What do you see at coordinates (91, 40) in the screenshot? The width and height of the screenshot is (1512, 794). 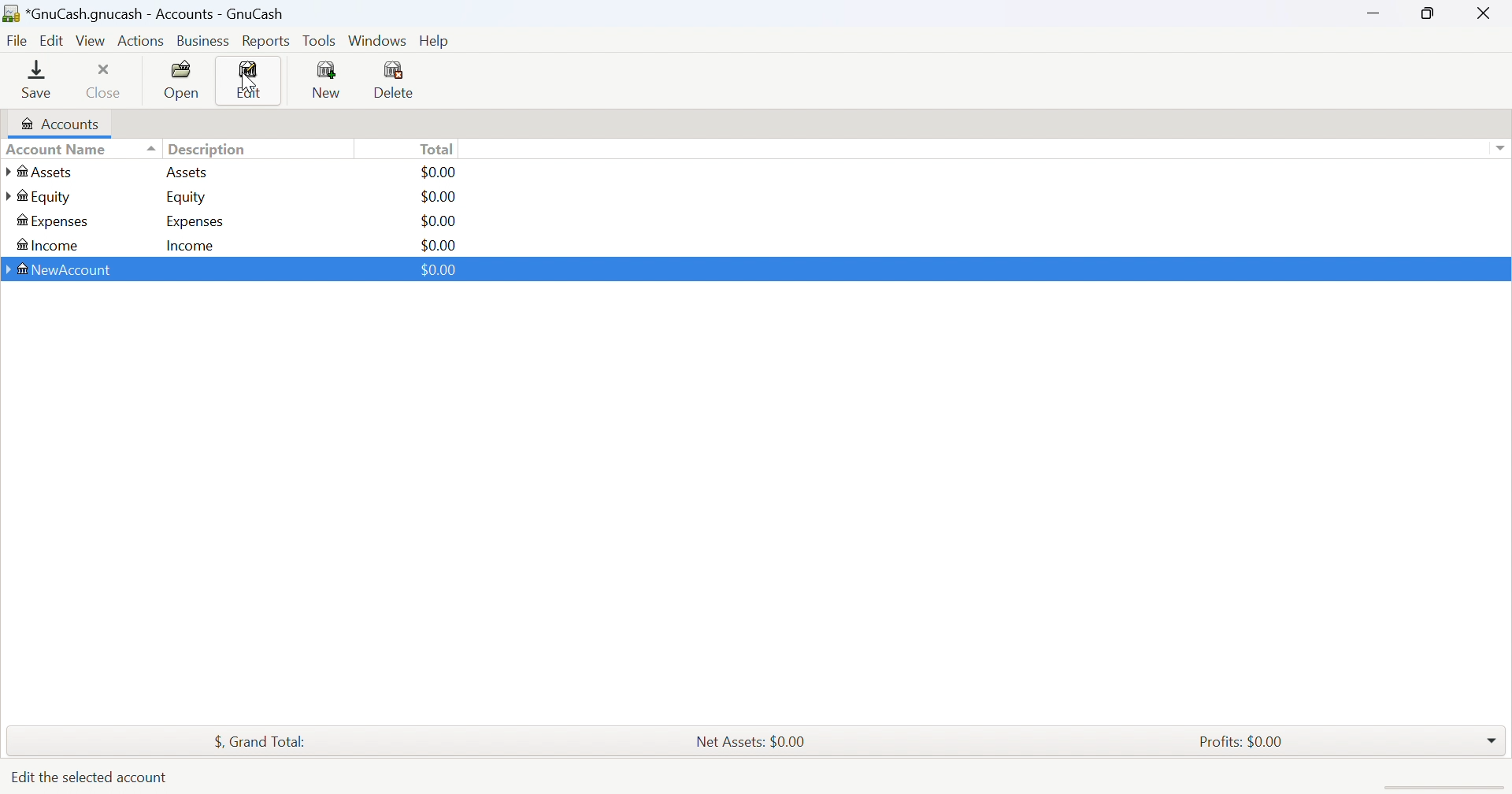 I see `Vies` at bounding box center [91, 40].